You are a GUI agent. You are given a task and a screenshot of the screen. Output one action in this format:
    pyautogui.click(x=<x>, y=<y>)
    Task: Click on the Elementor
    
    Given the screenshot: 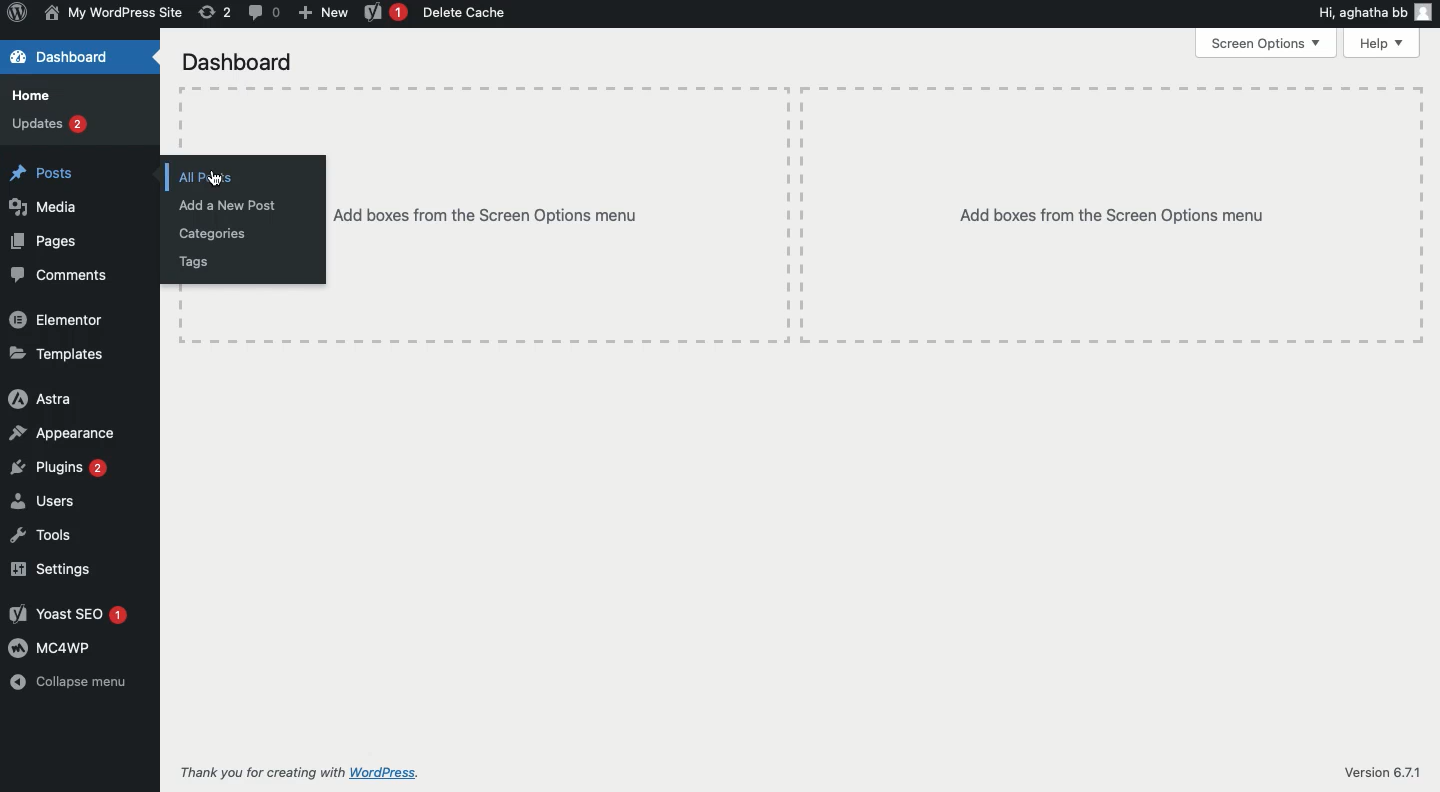 What is the action you would take?
    pyautogui.click(x=61, y=320)
    